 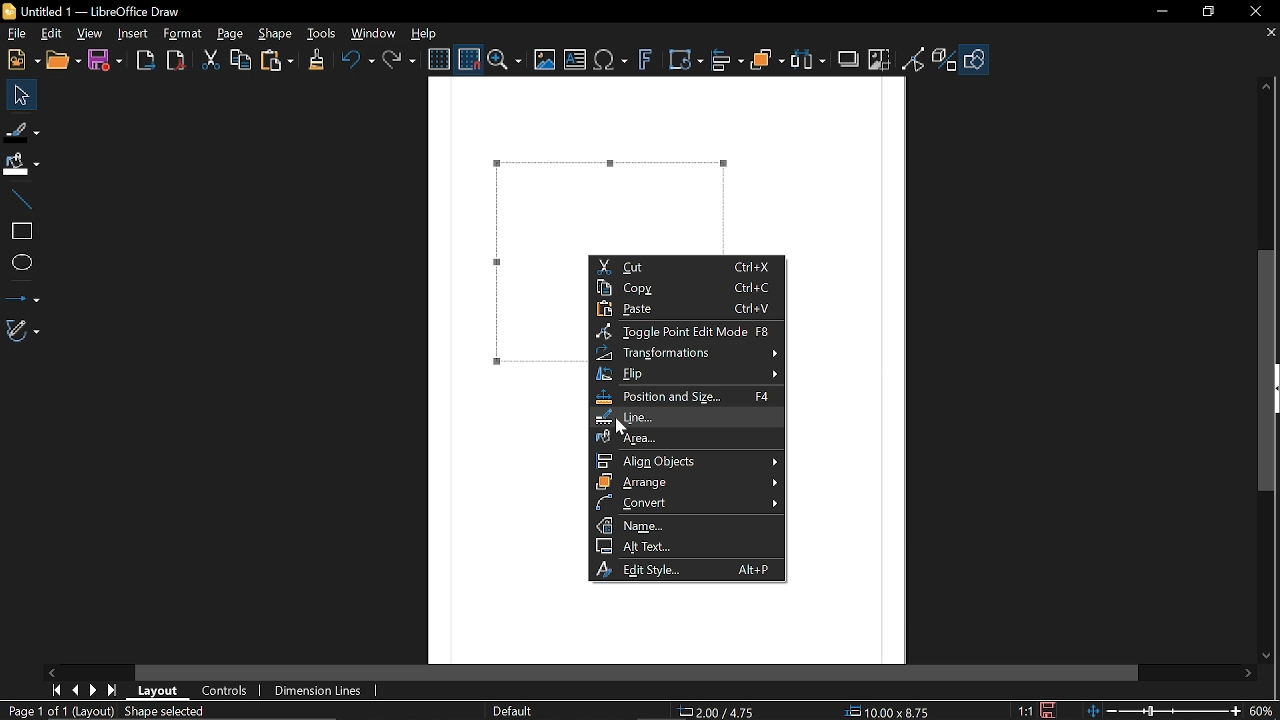 I want to click on Diagram, so click(x=594, y=194).